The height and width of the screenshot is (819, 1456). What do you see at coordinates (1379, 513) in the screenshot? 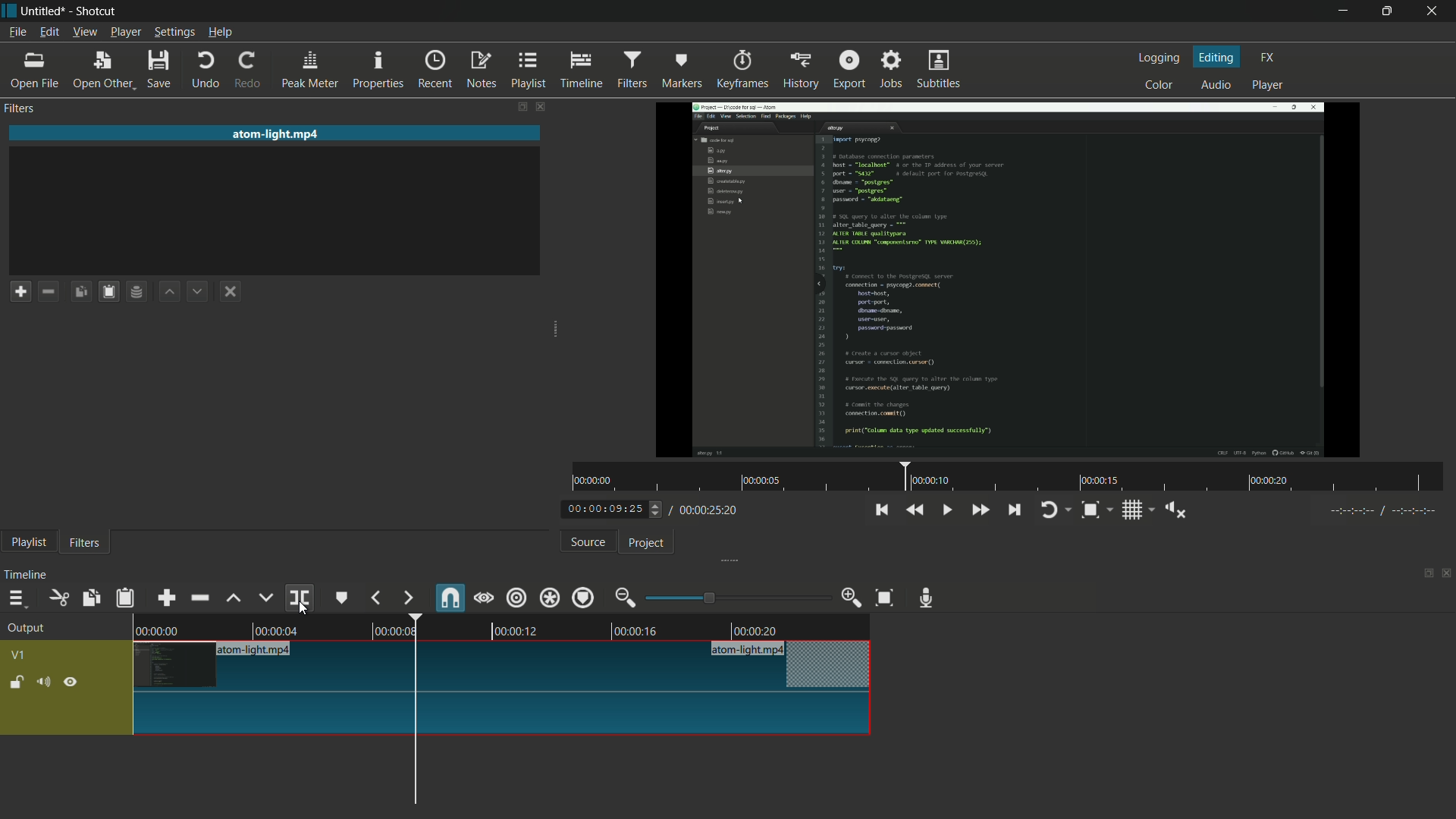
I see `` at bounding box center [1379, 513].